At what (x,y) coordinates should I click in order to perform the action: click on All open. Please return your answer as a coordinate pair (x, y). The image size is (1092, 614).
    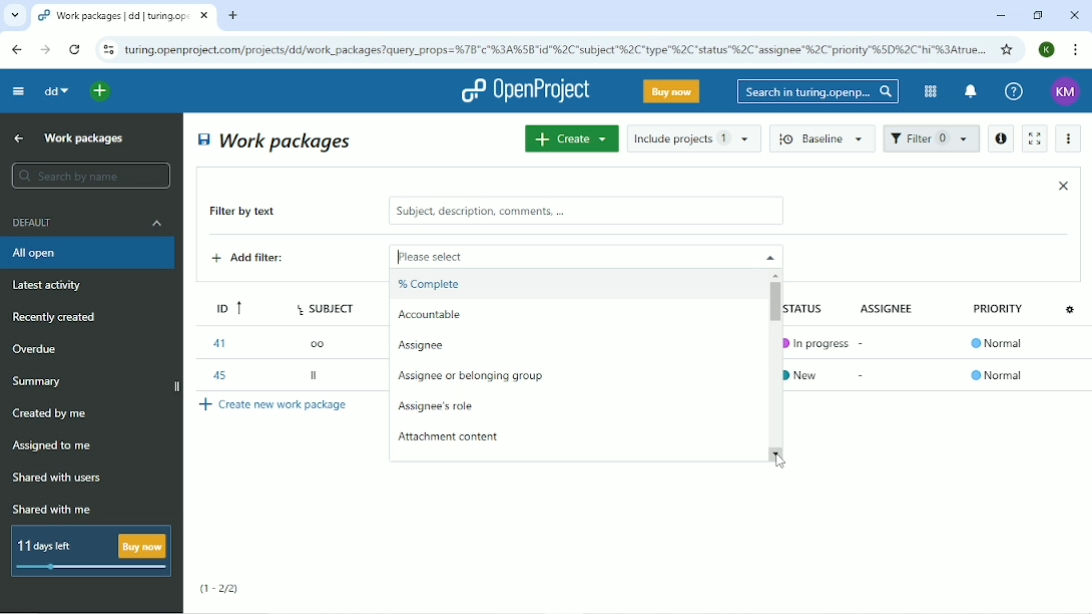
    Looking at the image, I should click on (90, 253).